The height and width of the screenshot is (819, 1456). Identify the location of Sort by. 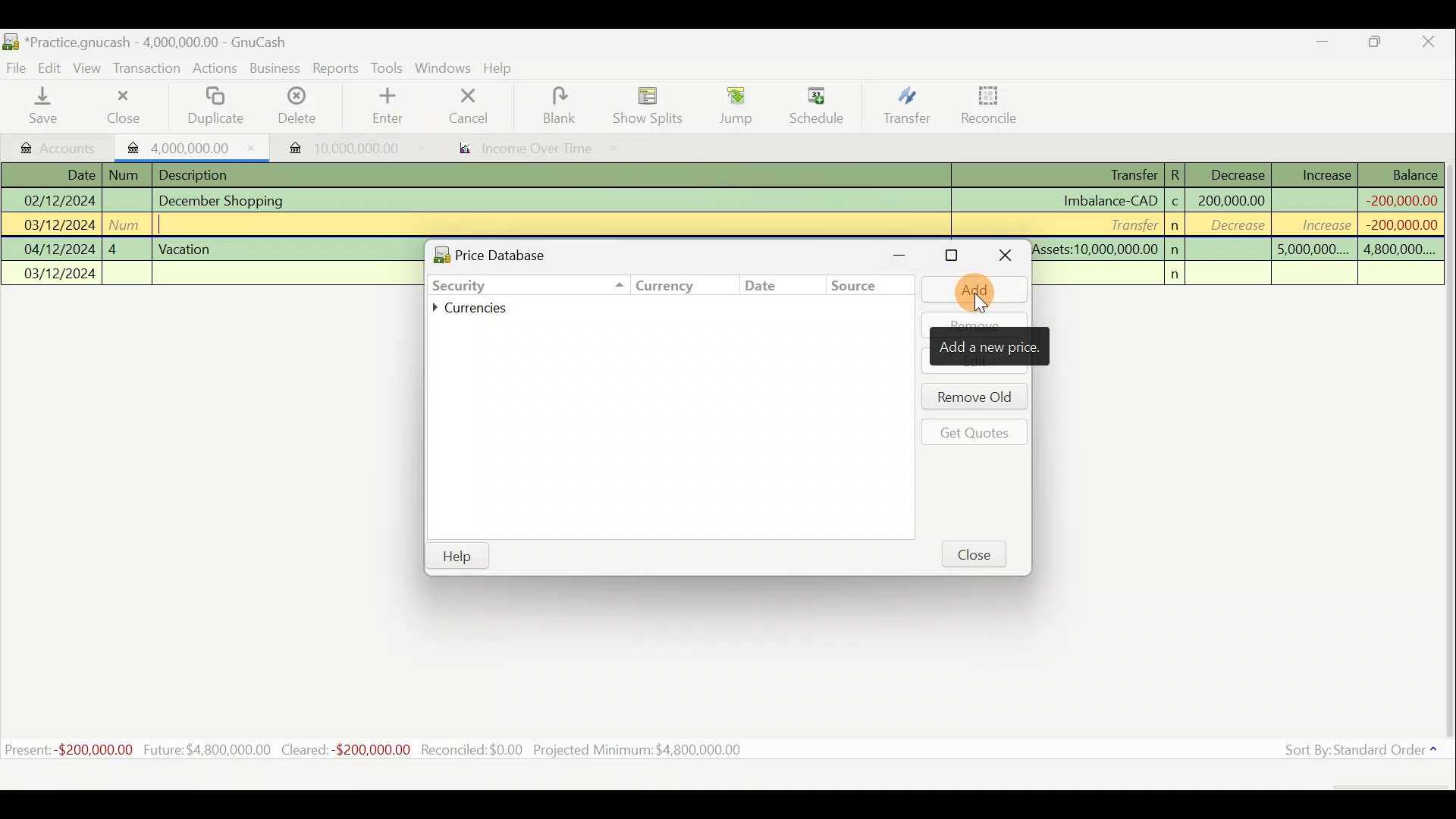
(1354, 752).